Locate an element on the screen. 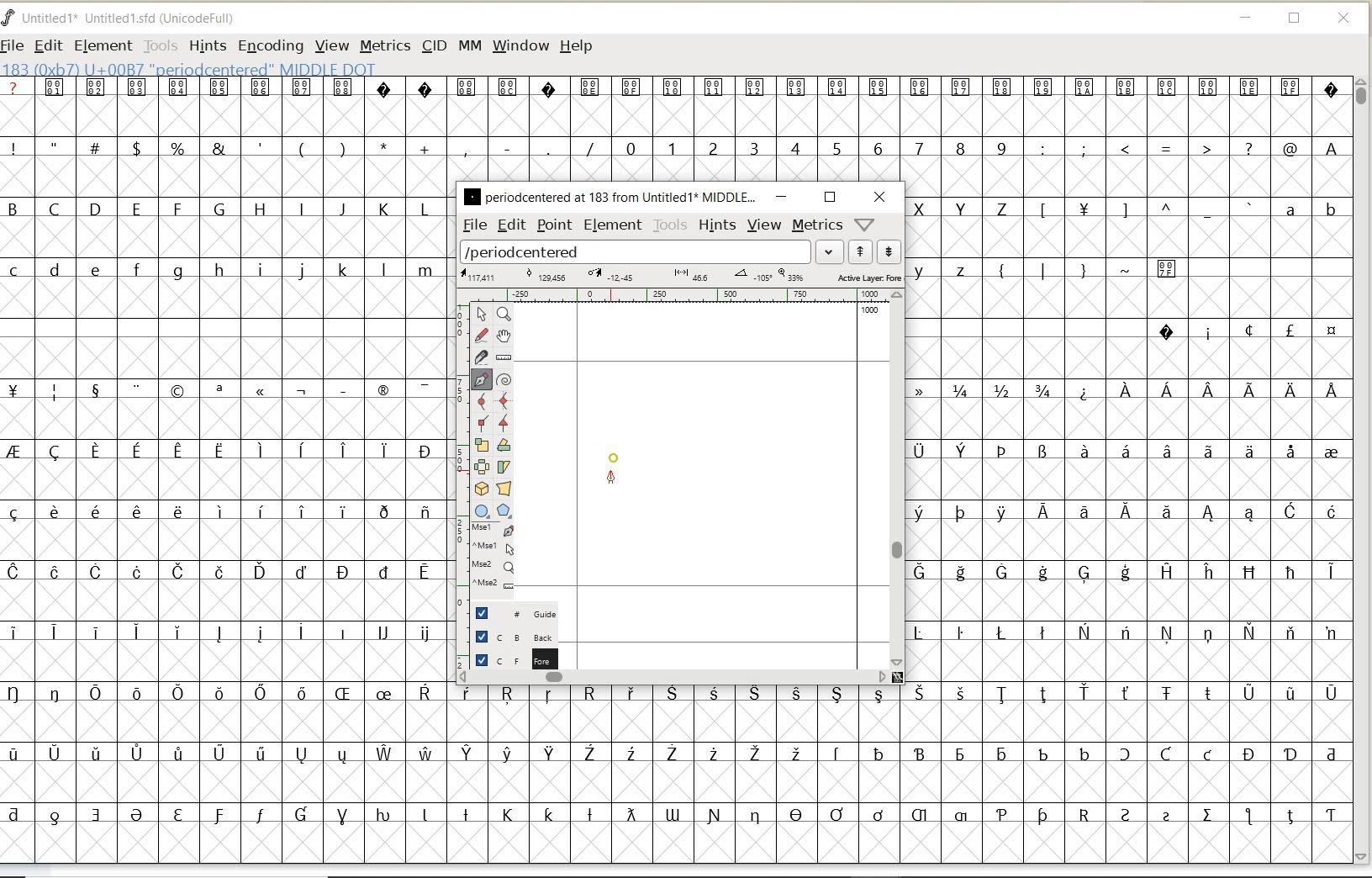 The height and width of the screenshot is (878, 1372). tools is located at coordinates (670, 225).